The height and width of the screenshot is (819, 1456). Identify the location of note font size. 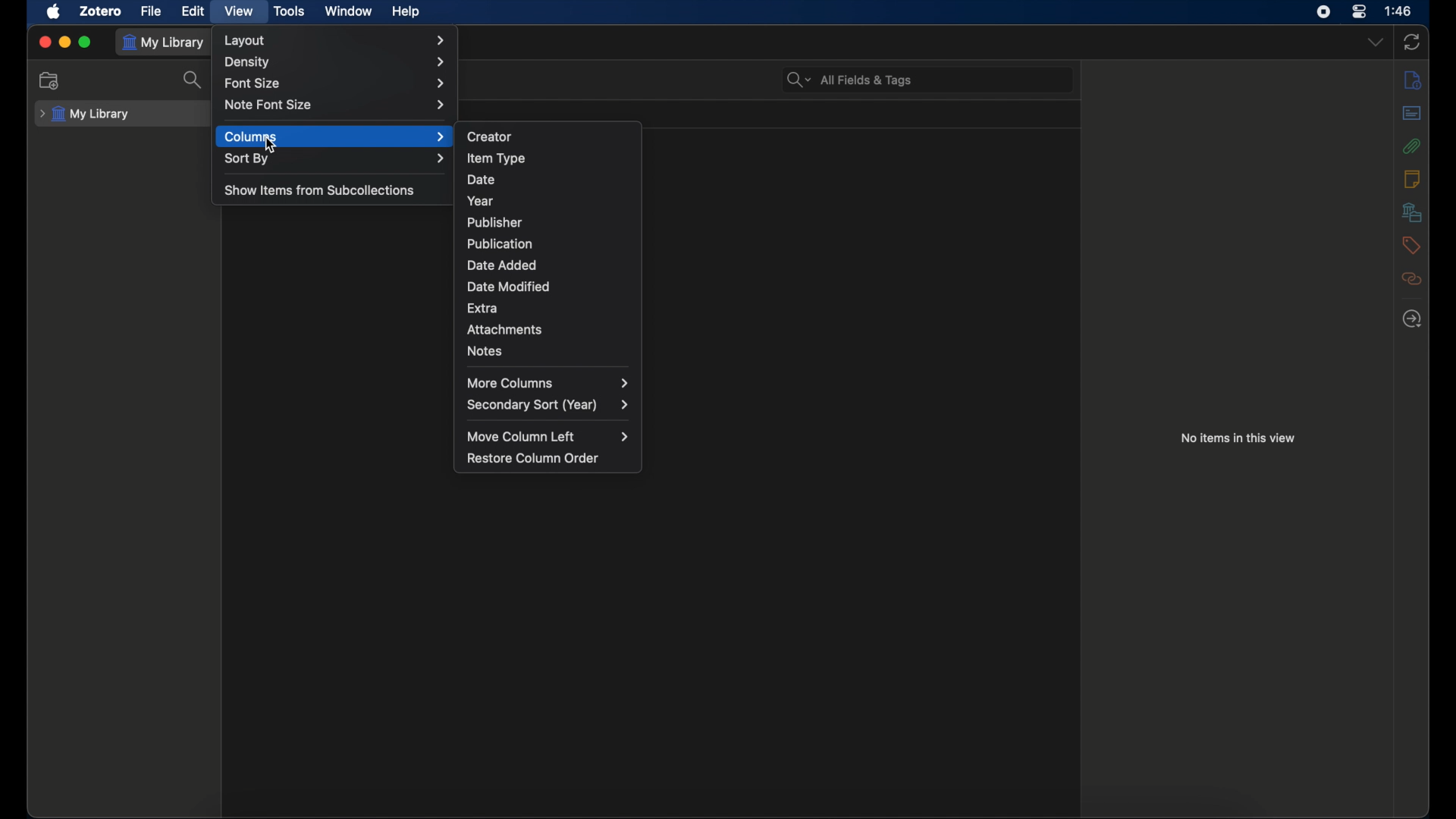
(336, 105).